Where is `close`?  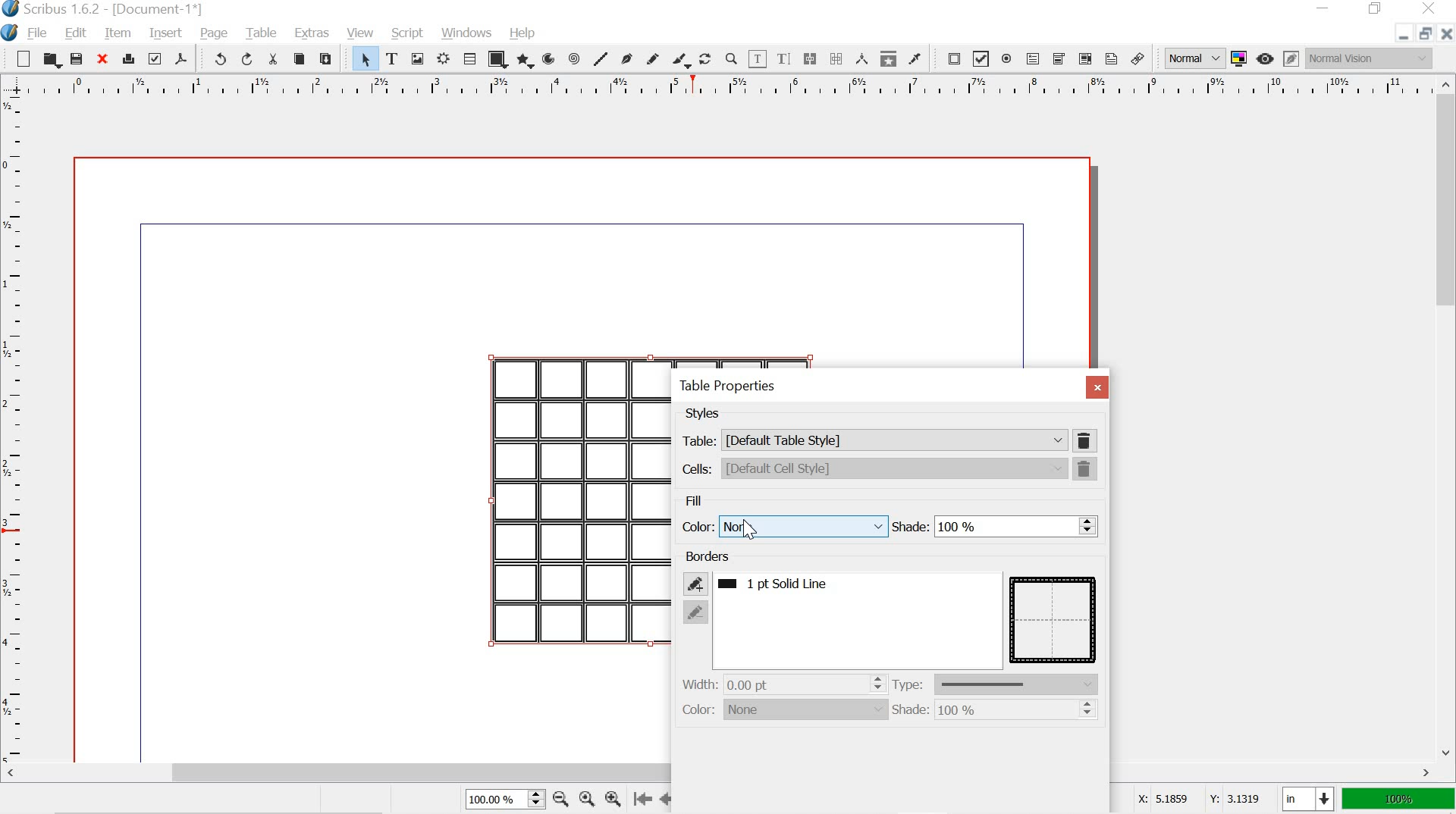 close is located at coordinates (1097, 388).